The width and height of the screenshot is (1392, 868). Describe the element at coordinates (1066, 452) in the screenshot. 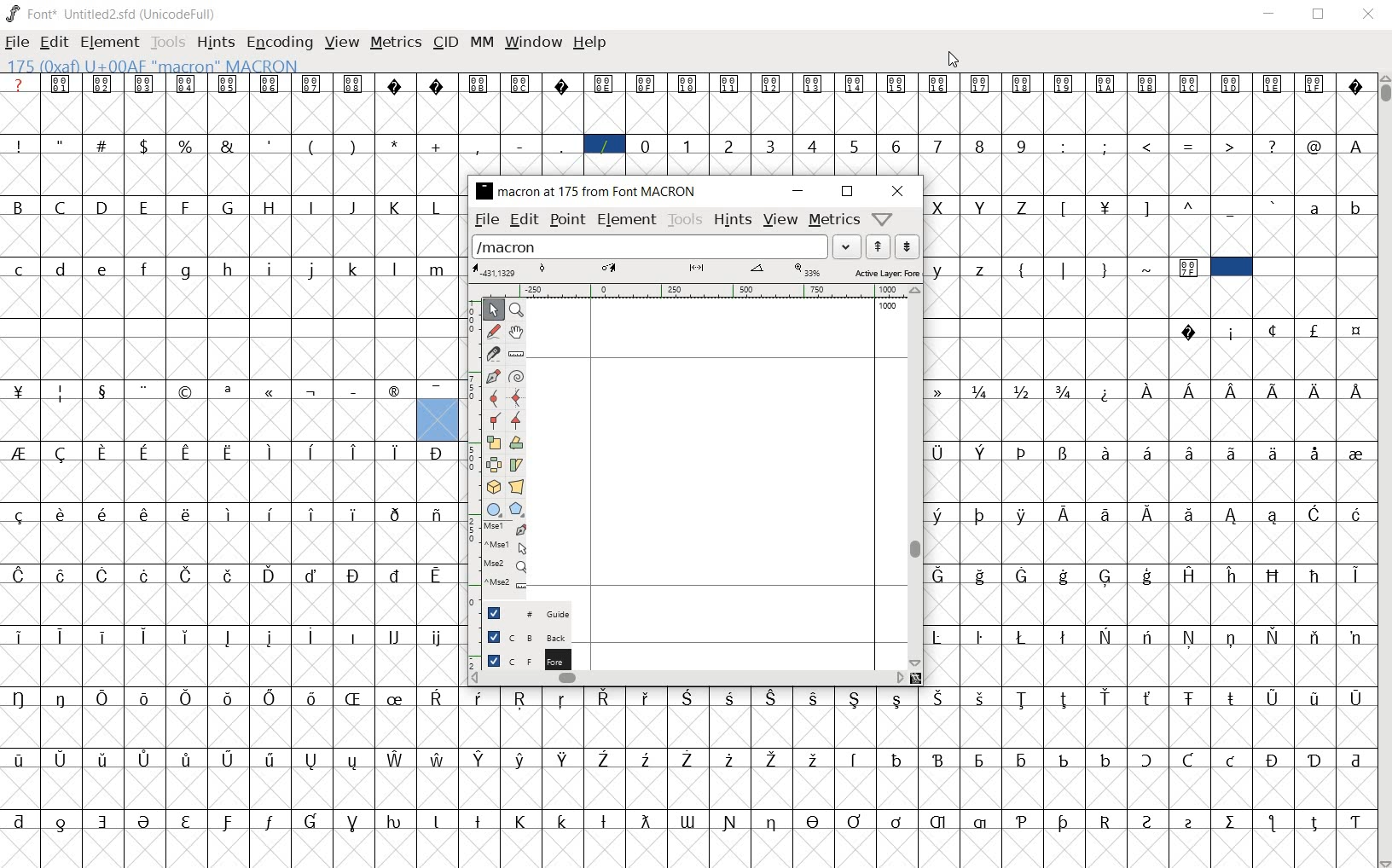

I see `Symbol` at that location.